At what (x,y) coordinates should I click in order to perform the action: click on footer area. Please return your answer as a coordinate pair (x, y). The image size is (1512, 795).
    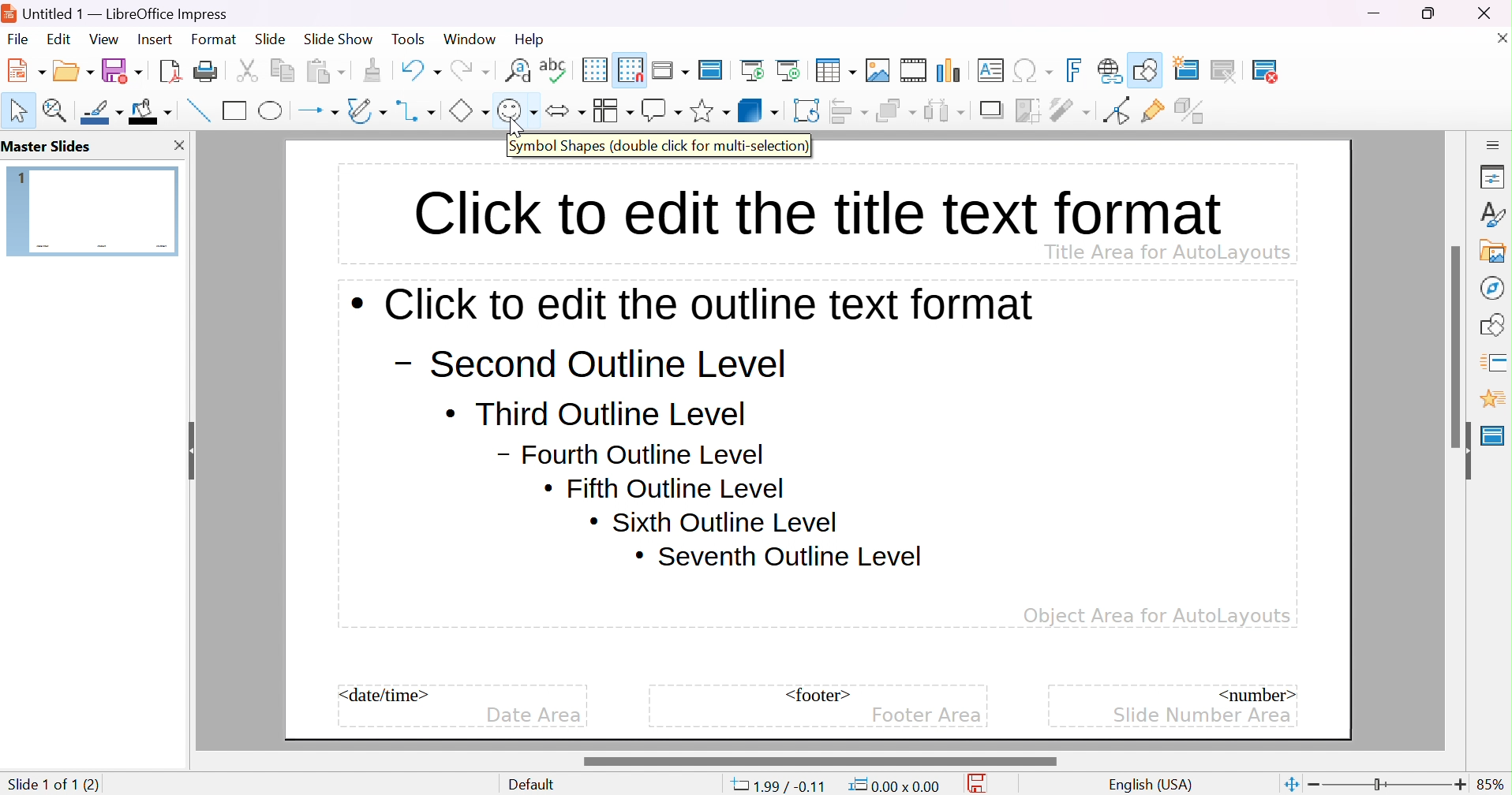
    Looking at the image, I should click on (926, 715).